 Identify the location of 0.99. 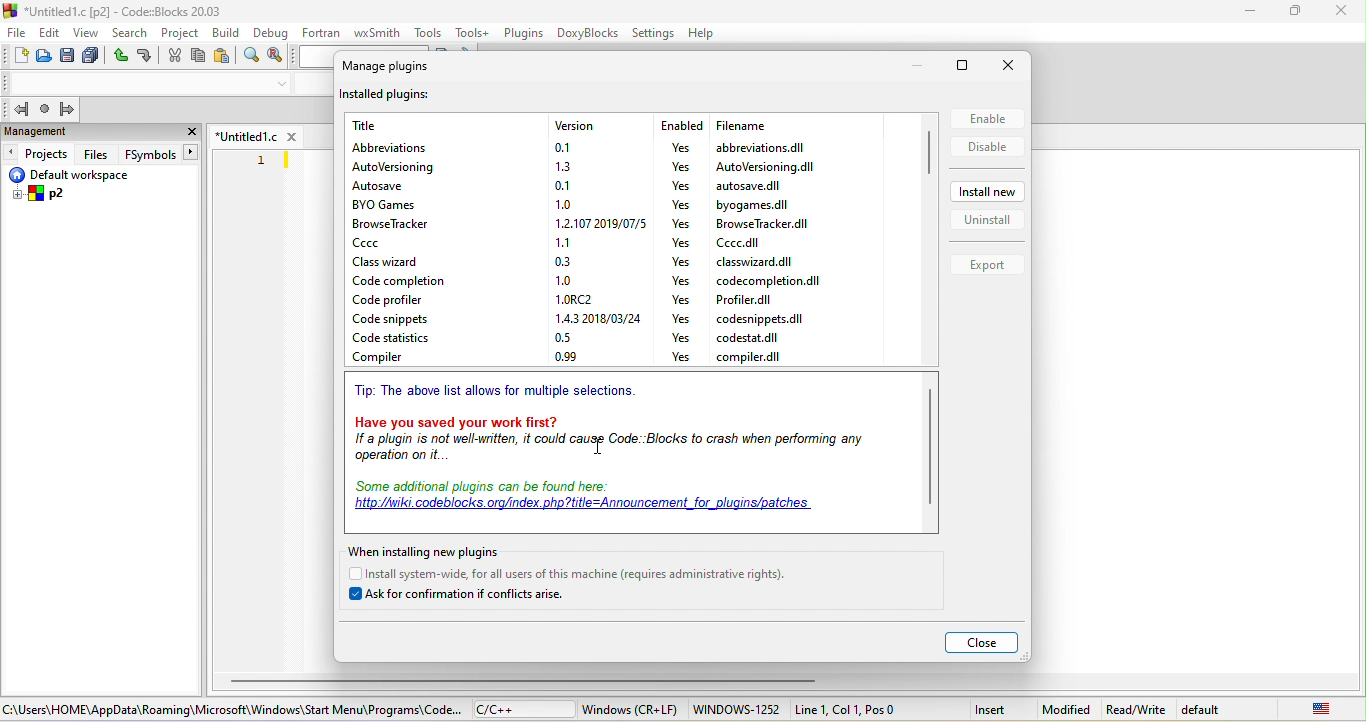
(572, 358).